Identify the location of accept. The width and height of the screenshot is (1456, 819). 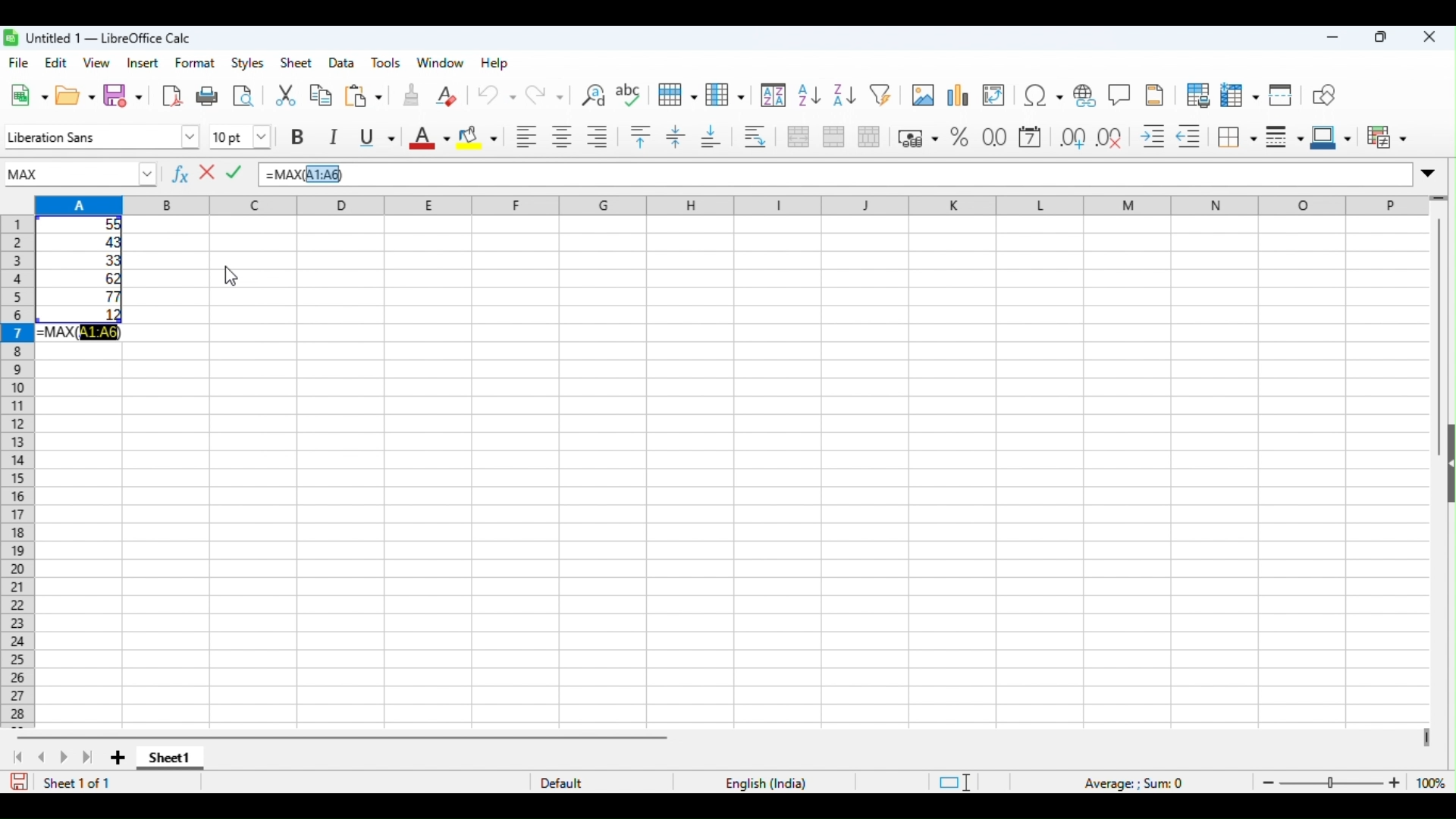
(235, 171).